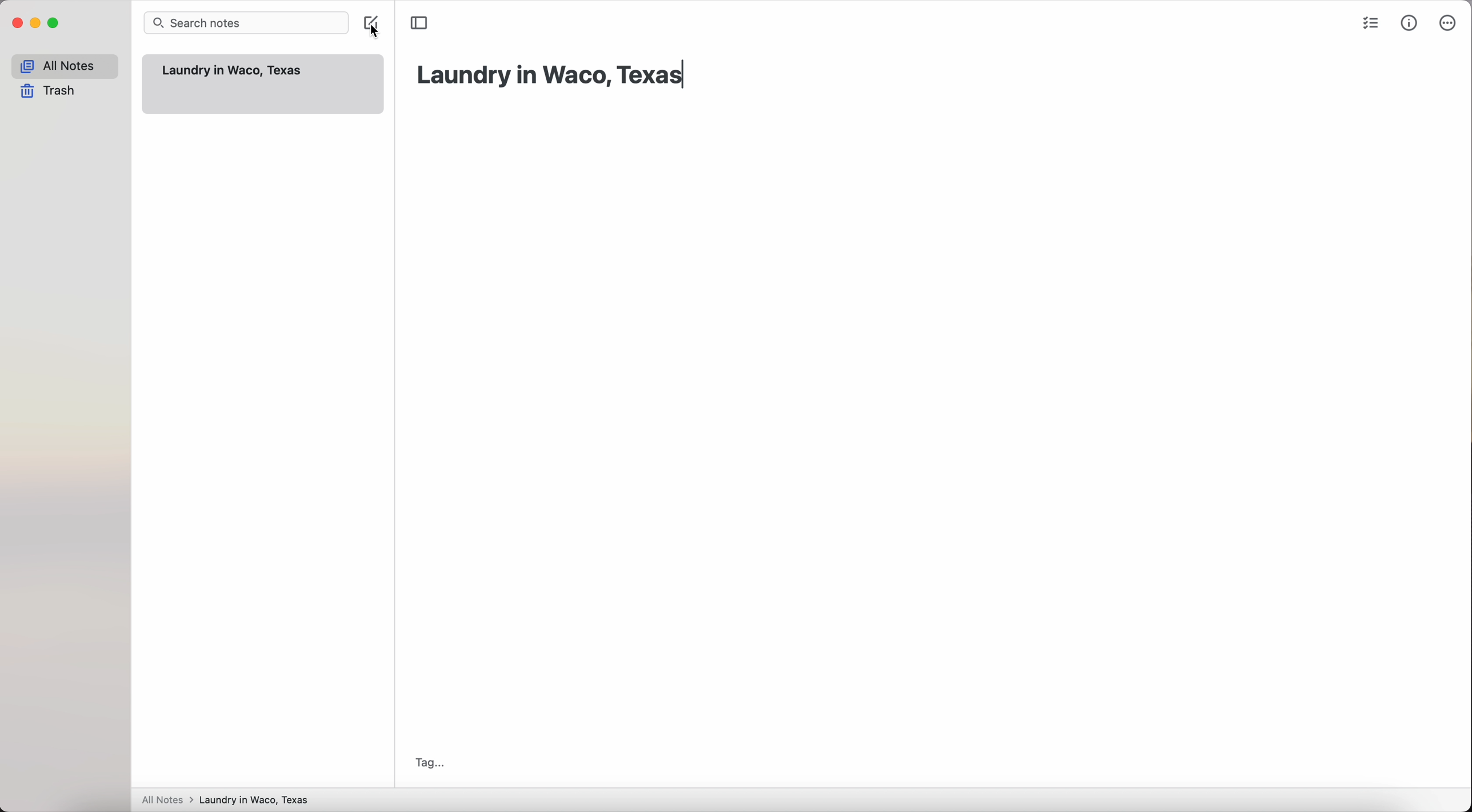  I want to click on more options, so click(1446, 23).